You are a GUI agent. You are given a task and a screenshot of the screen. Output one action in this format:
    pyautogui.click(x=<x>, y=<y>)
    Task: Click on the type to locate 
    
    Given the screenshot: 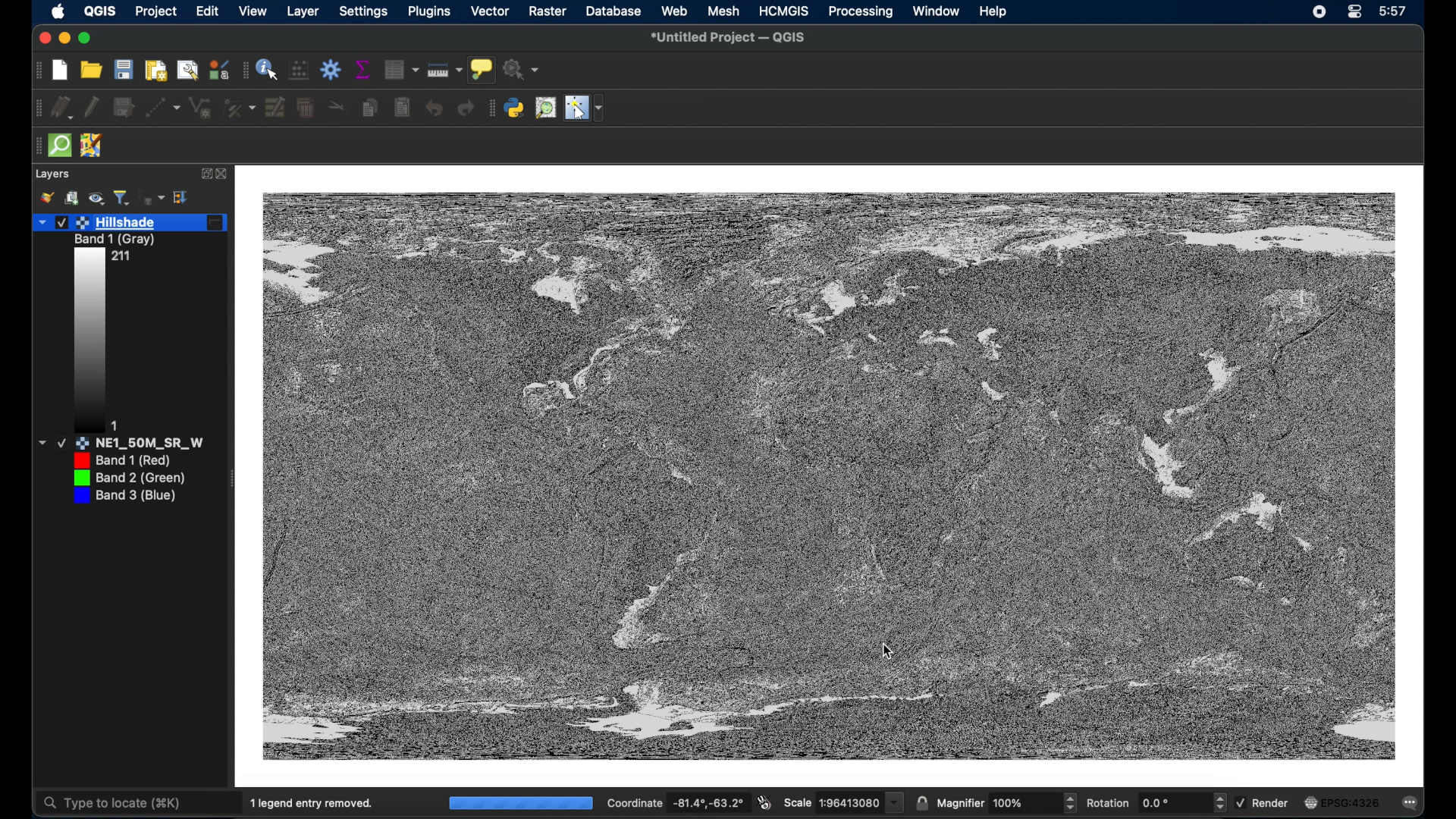 What is the action you would take?
    pyautogui.click(x=111, y=804)
    